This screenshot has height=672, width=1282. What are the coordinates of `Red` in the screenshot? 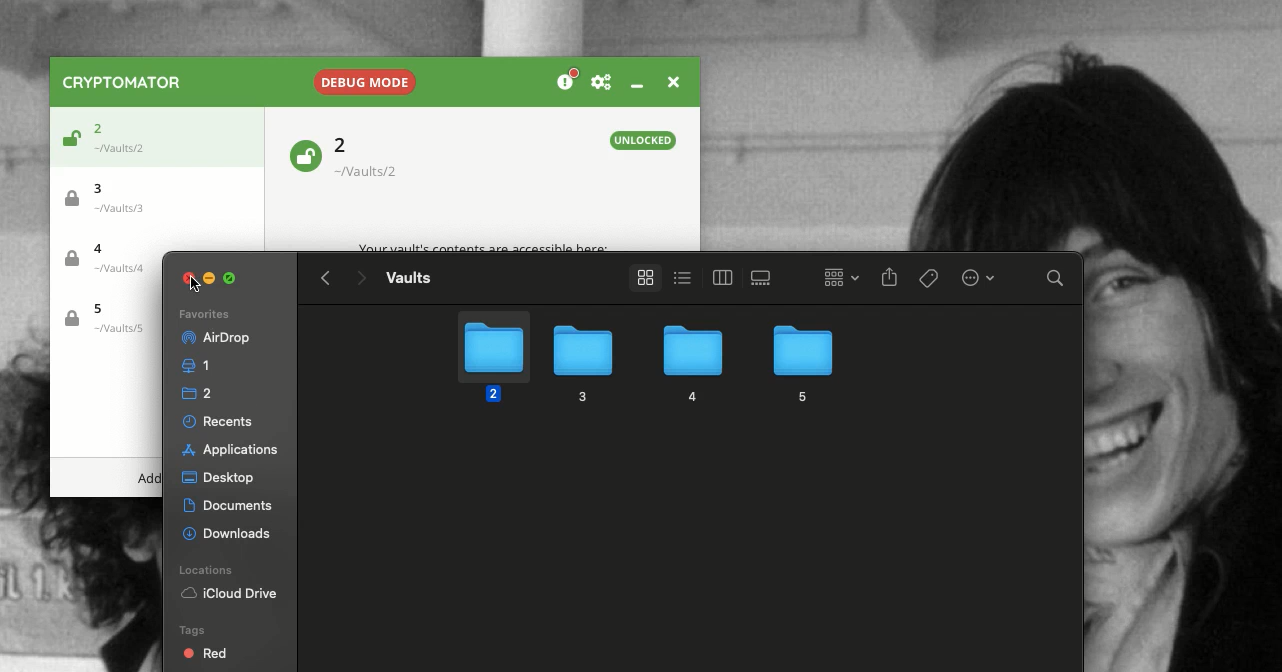 It's located at (207, 625).